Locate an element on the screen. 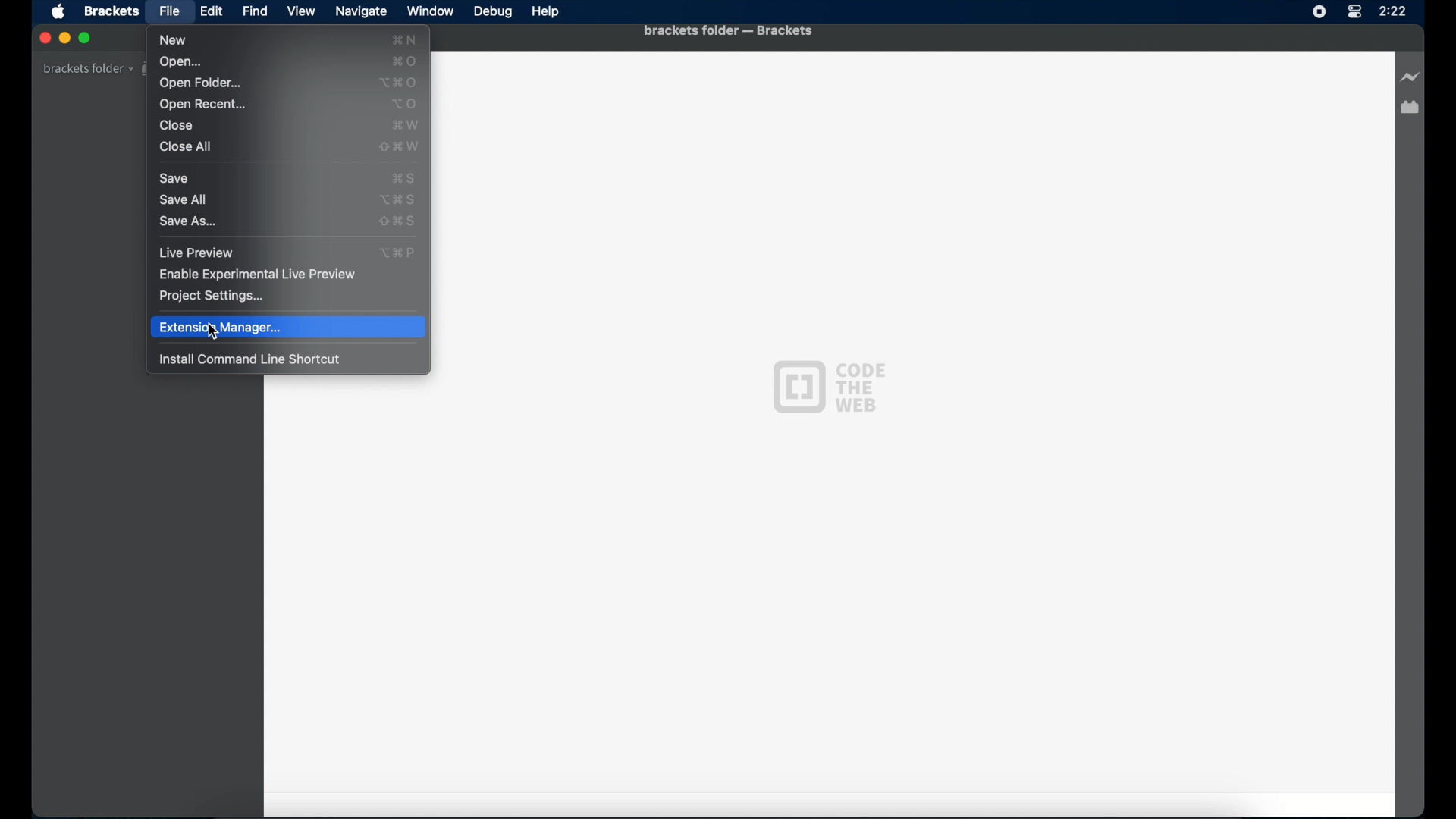  open folder is located at coordinates (200, 83).